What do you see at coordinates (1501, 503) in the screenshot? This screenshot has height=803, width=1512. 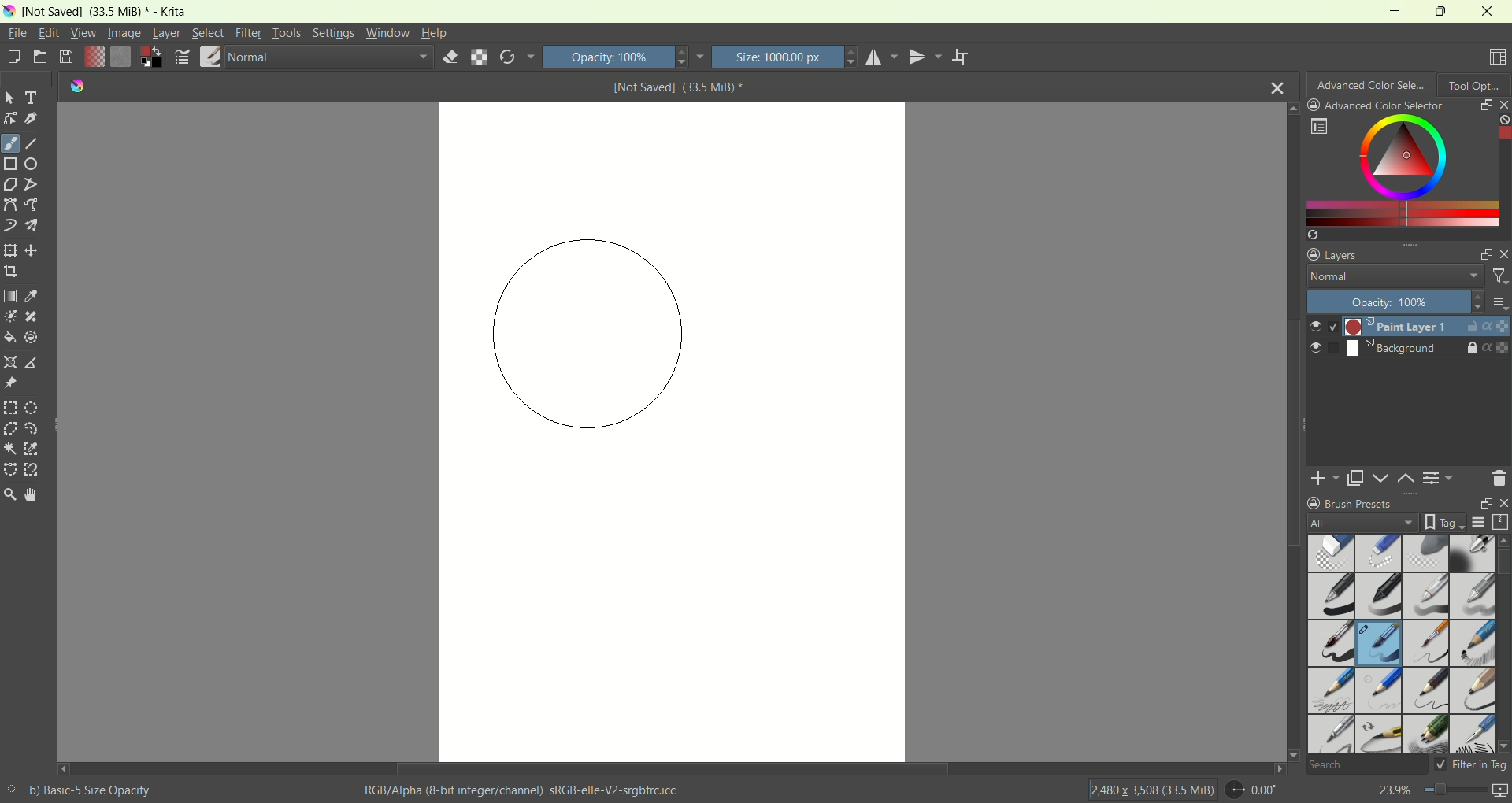 I see `close` at bounding box center [1501, 503].